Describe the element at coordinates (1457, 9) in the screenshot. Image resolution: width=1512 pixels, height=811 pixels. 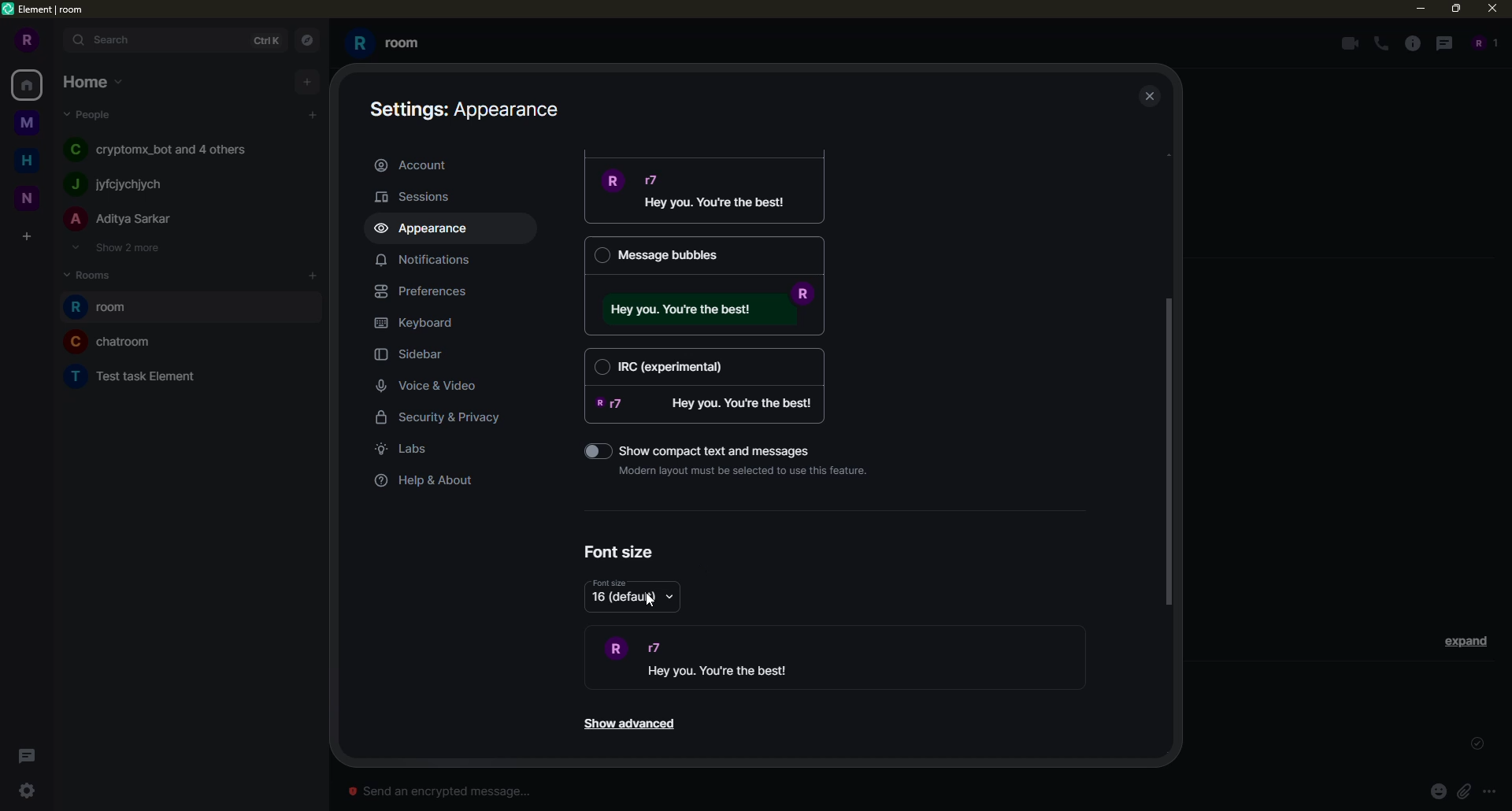
I see `maximize` at that location.